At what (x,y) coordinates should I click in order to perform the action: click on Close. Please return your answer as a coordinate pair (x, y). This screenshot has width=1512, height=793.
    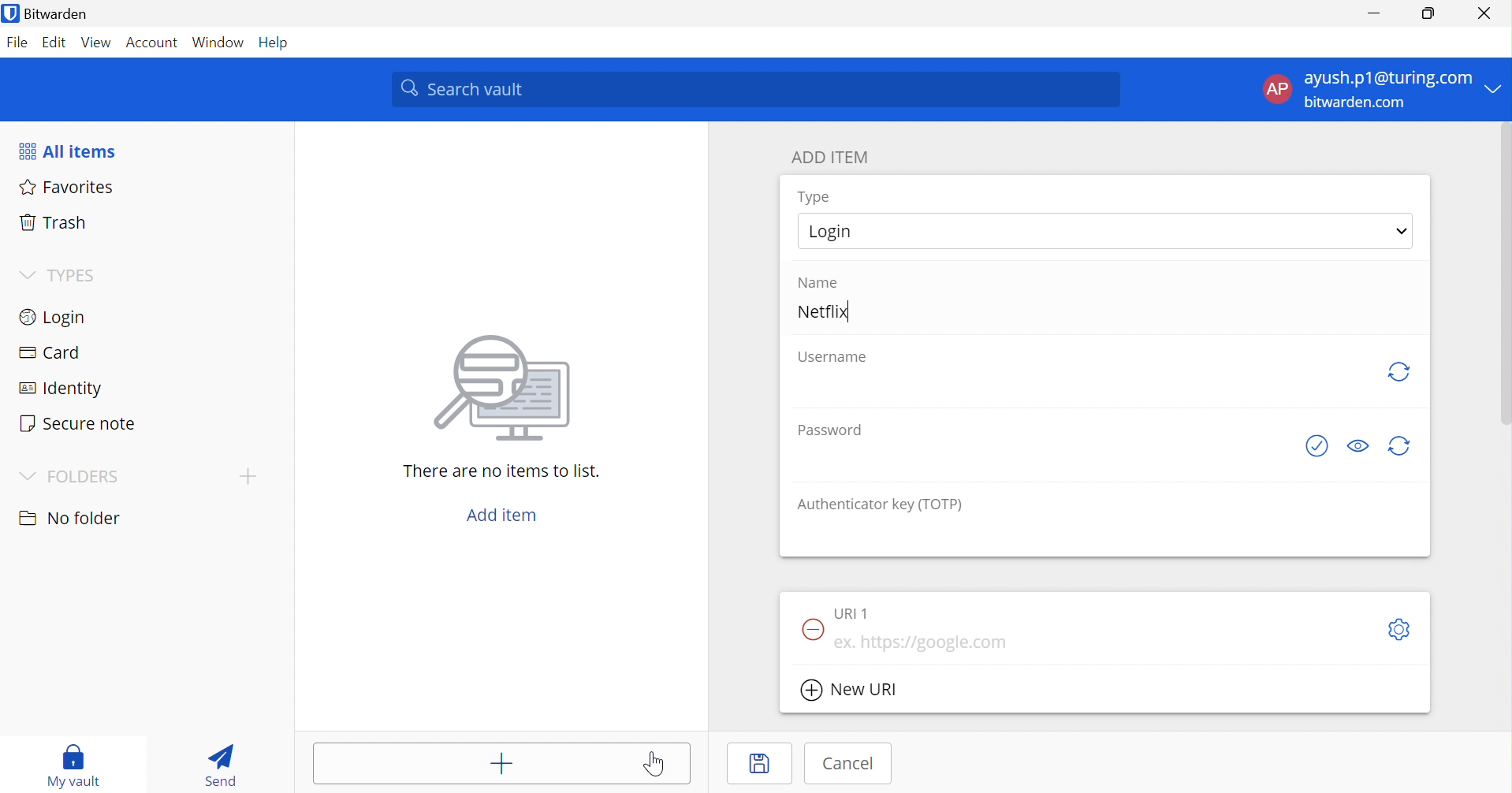
    Looking at the image, I should click on (1484, 13).